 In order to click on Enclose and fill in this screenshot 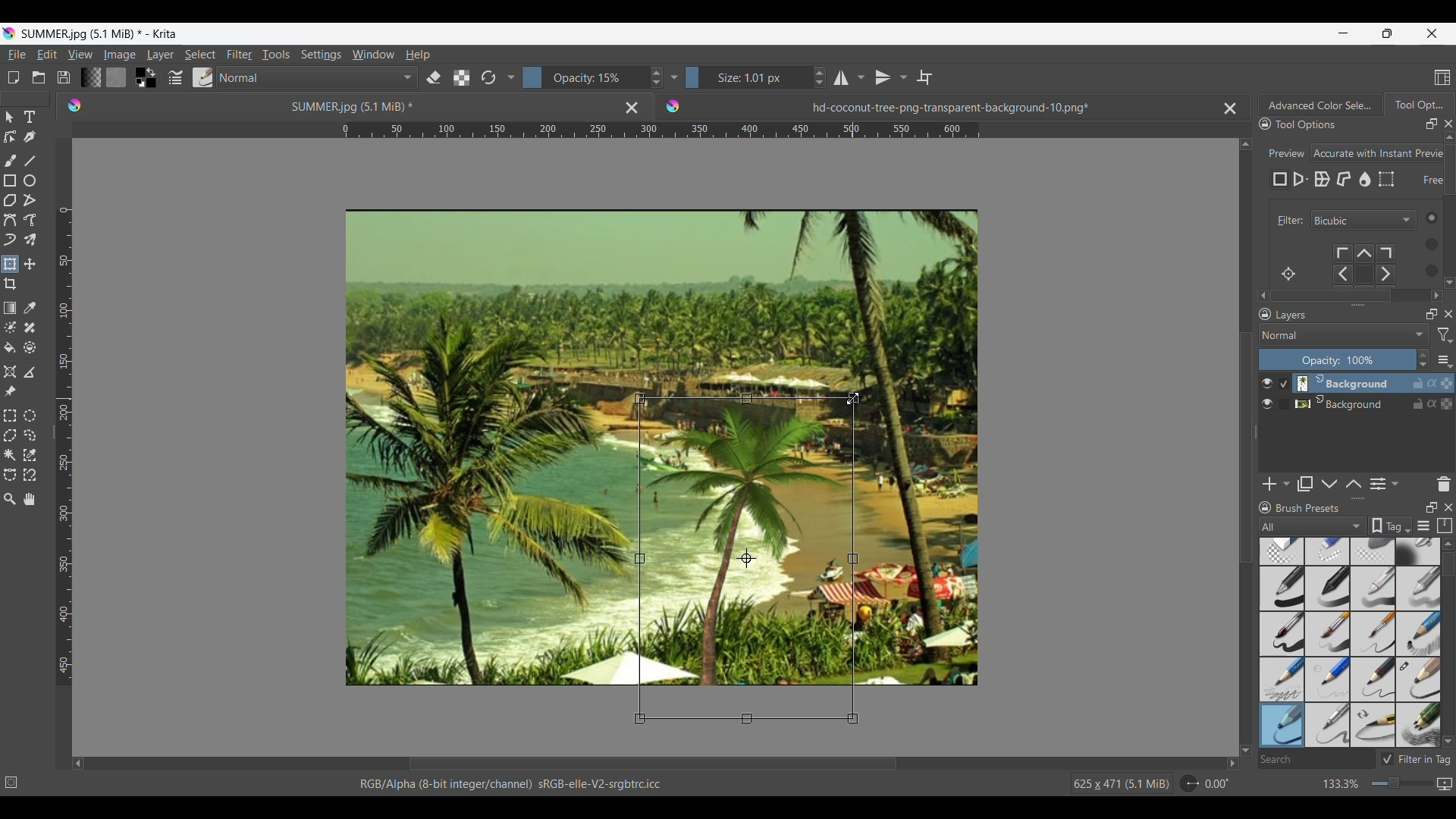, I will do `click(29, 348)`.